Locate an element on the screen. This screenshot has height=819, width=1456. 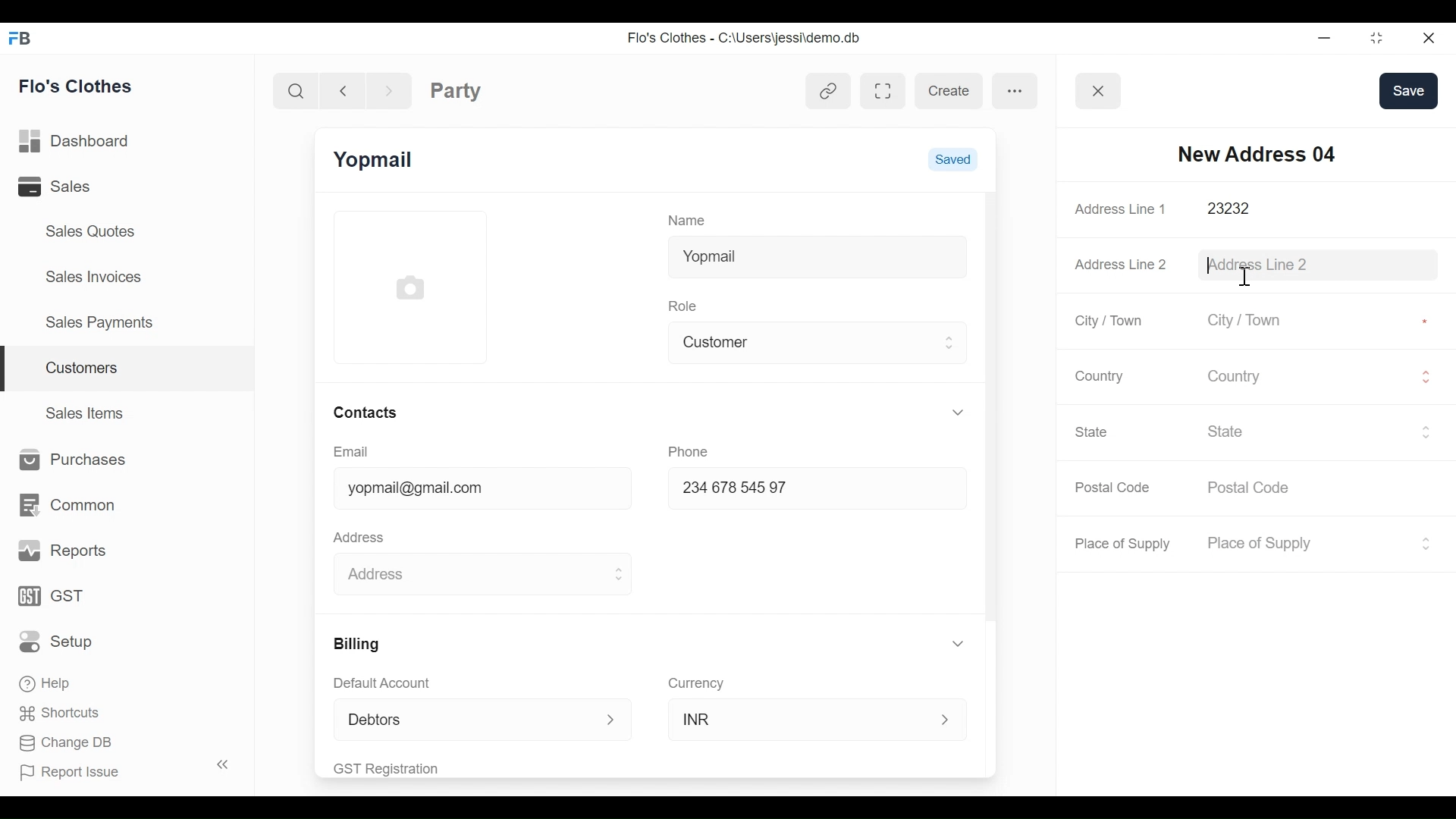
Expand is located at coordinates (612, 720).